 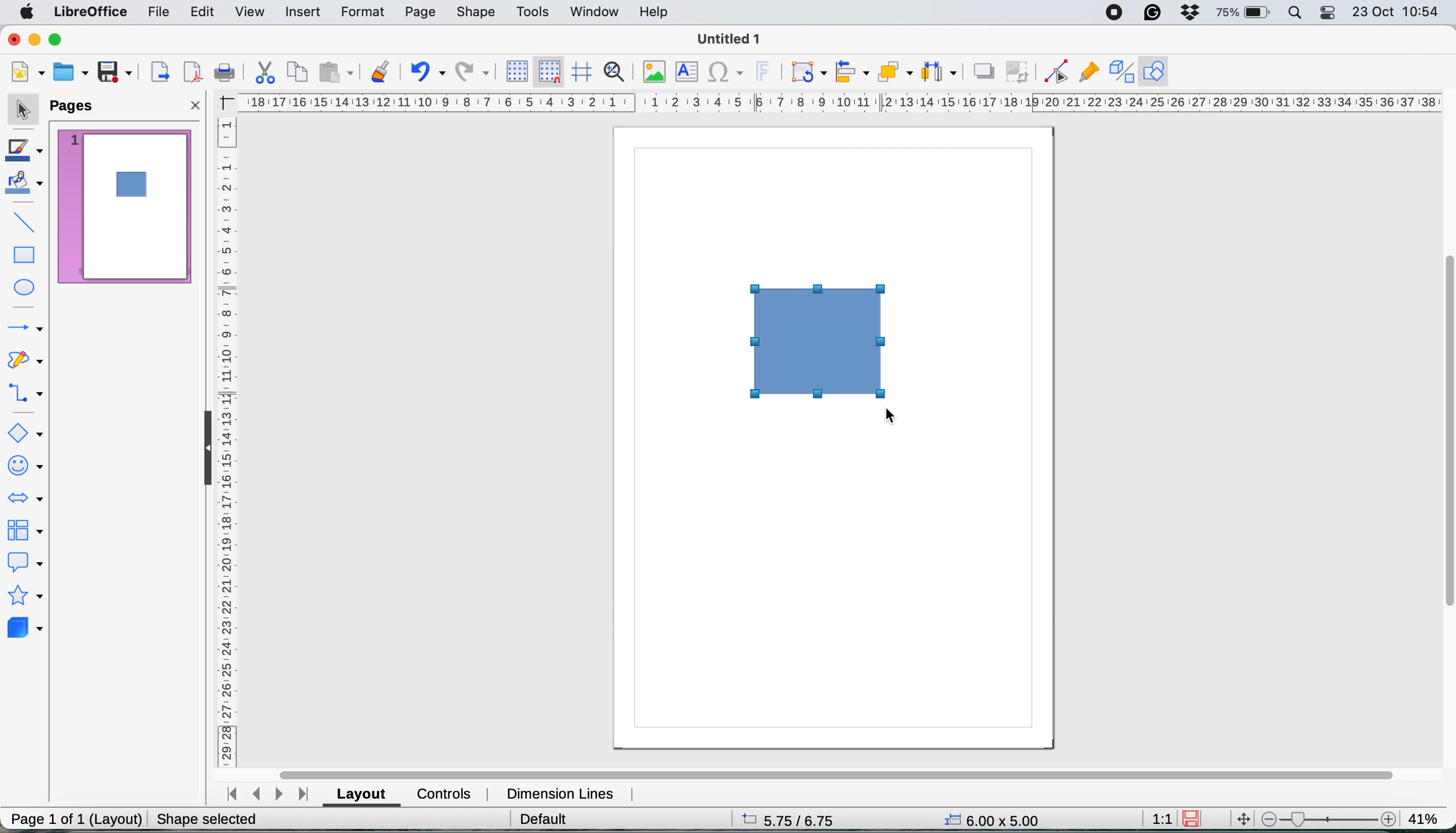 I want to click on crop image, so click(x=1018, y=73).